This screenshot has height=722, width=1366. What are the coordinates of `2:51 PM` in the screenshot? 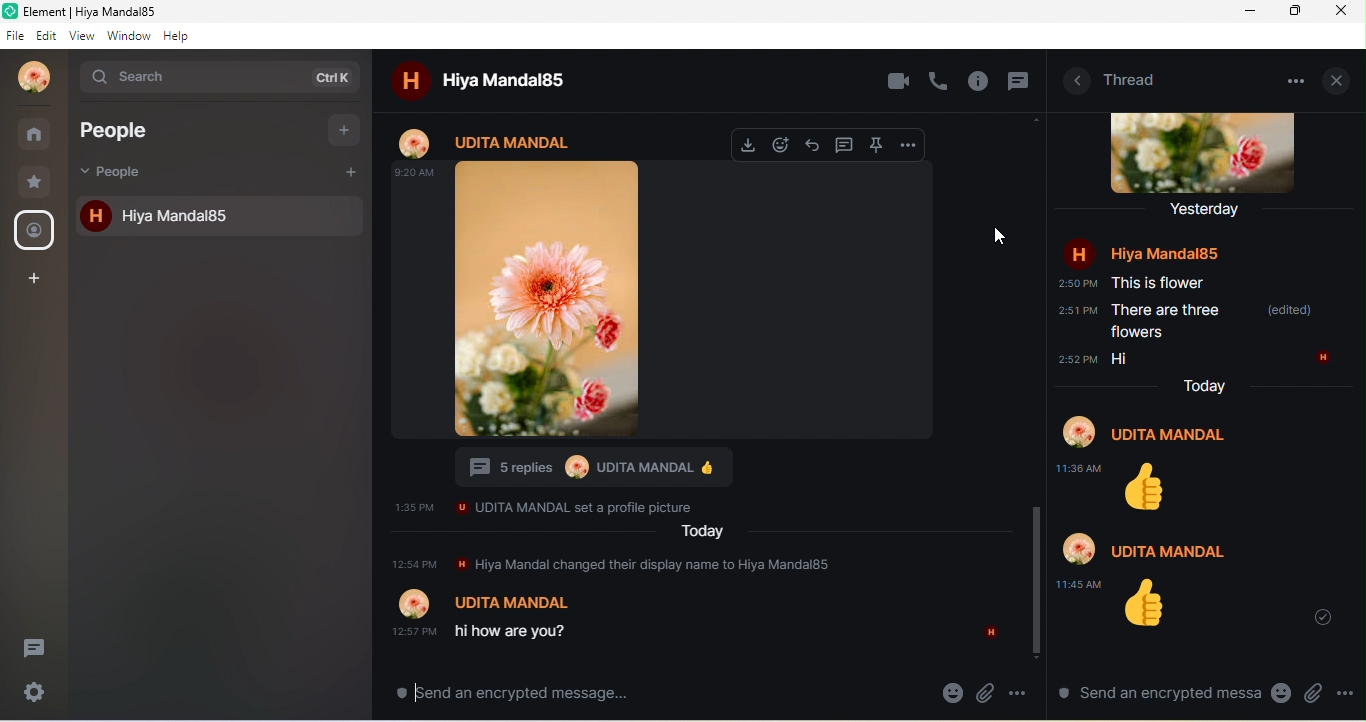 It's located at (1075, 311).